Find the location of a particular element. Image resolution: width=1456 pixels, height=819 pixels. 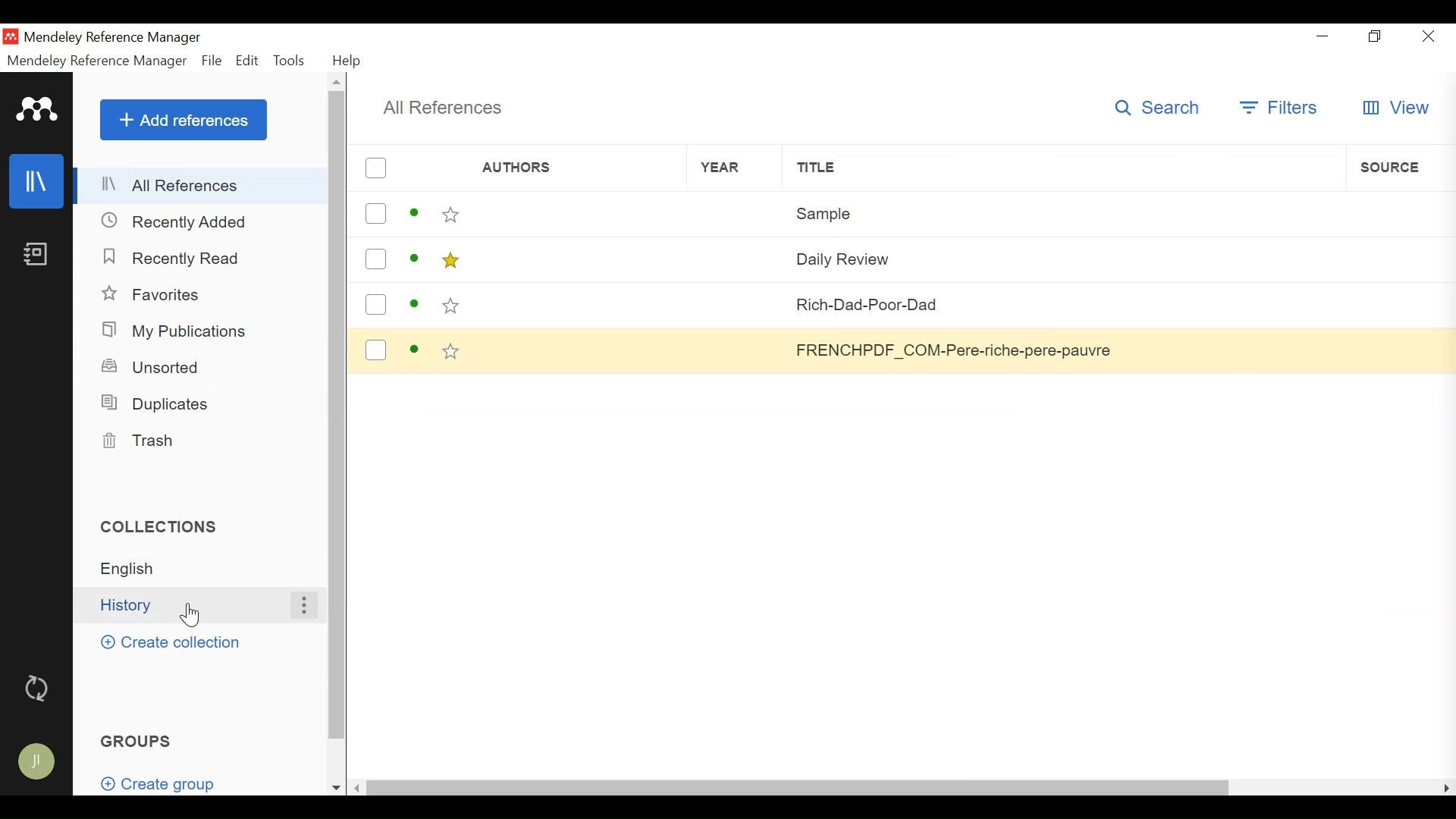

Favorites is located at coordinates (154, 295).